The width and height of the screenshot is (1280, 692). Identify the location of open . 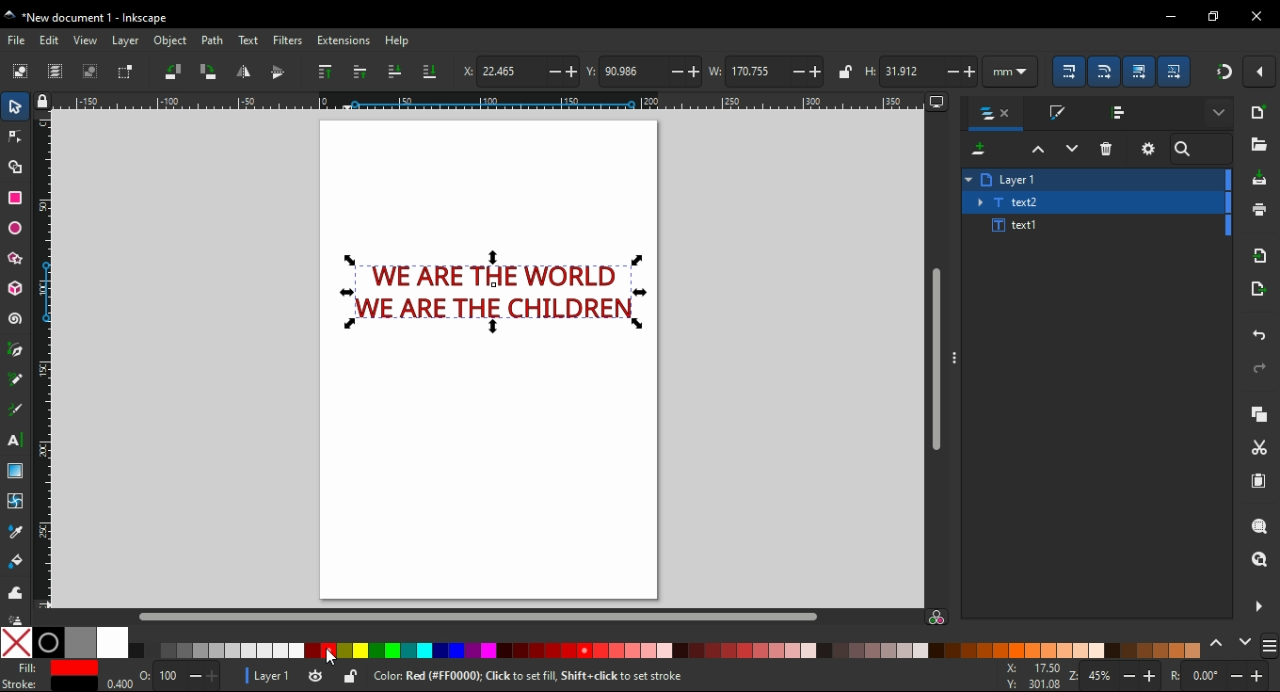
(1260, 144).